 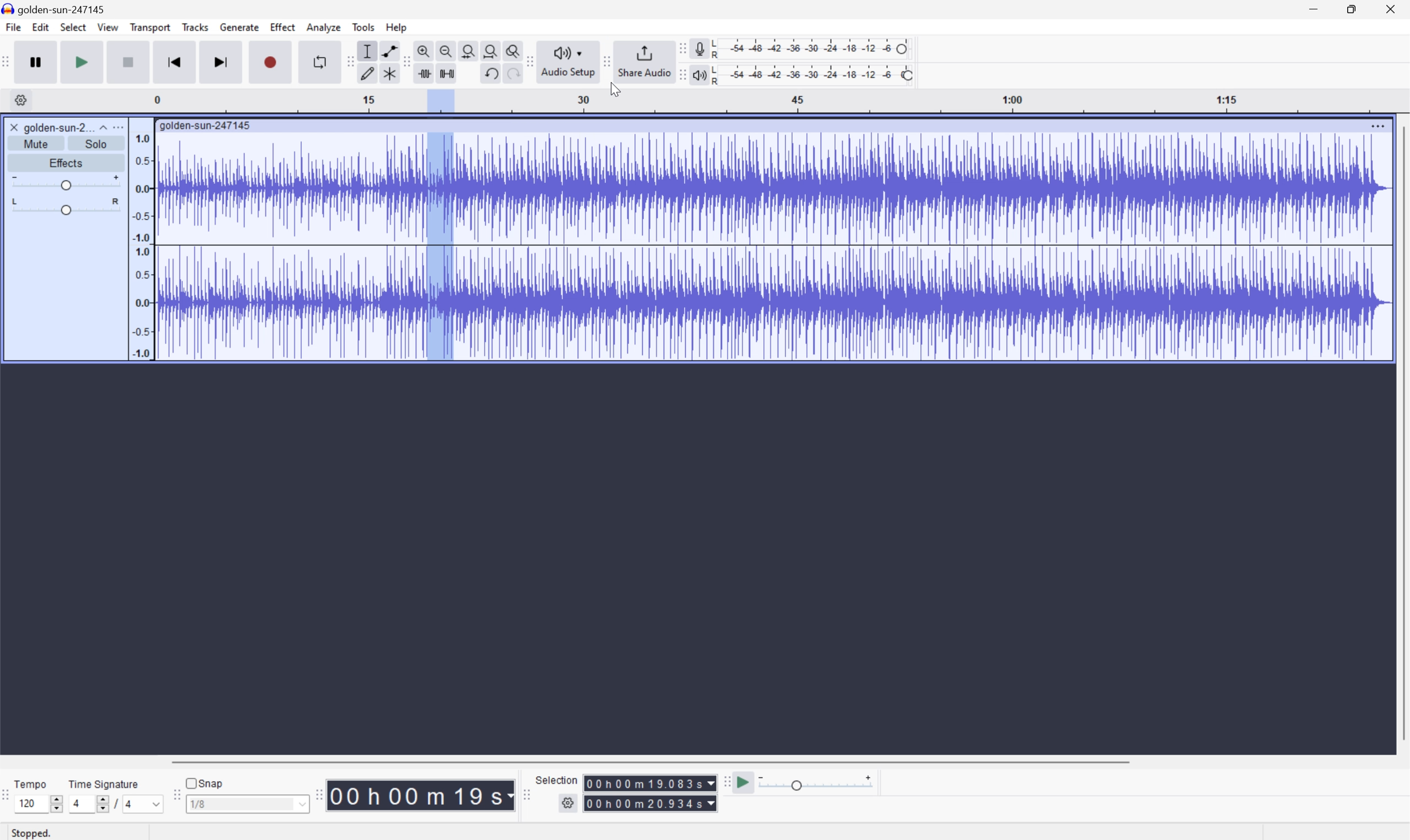 I want to click on Trim audio outside selection, so click(x=422, y=74).